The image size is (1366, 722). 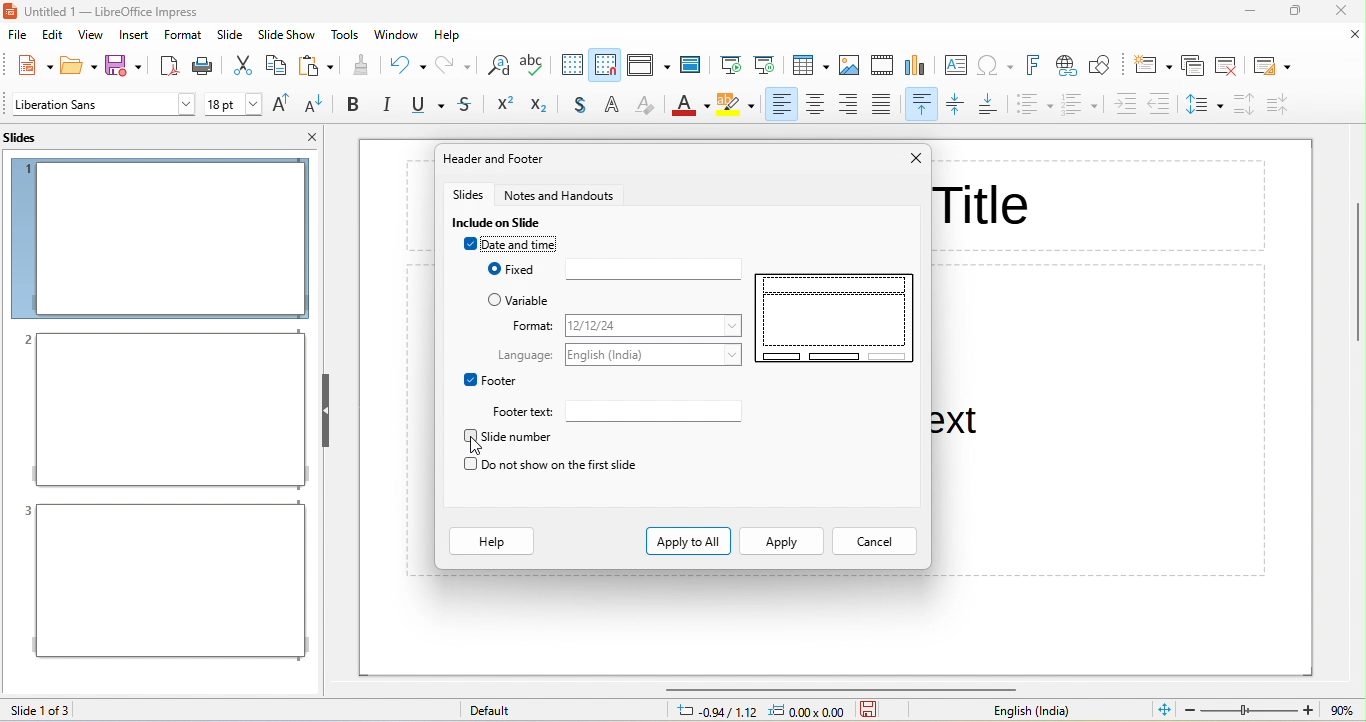 I want to click on display grid, so click(x=570, y=65).